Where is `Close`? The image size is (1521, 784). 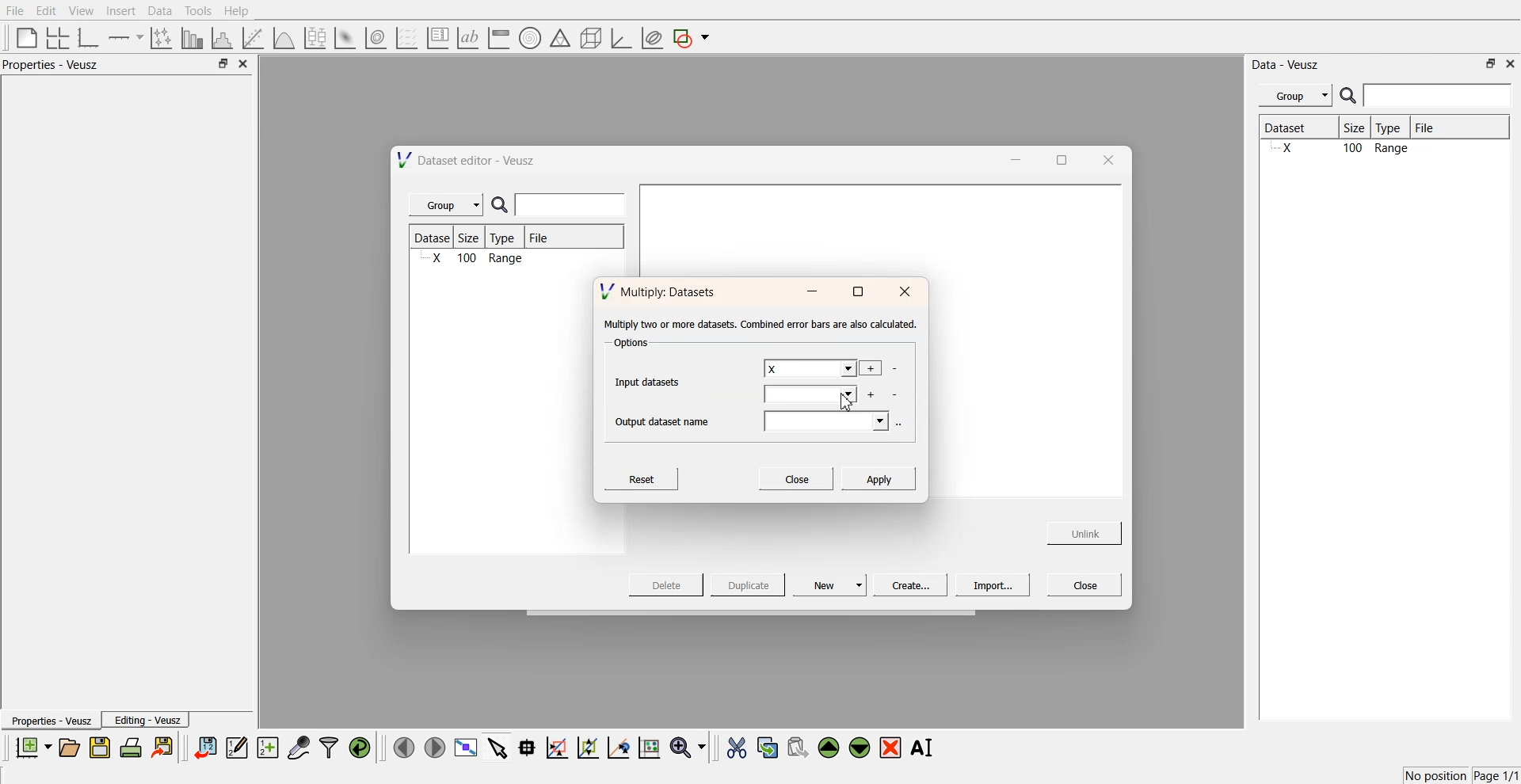
Close is located at coordinates (1085, 584).